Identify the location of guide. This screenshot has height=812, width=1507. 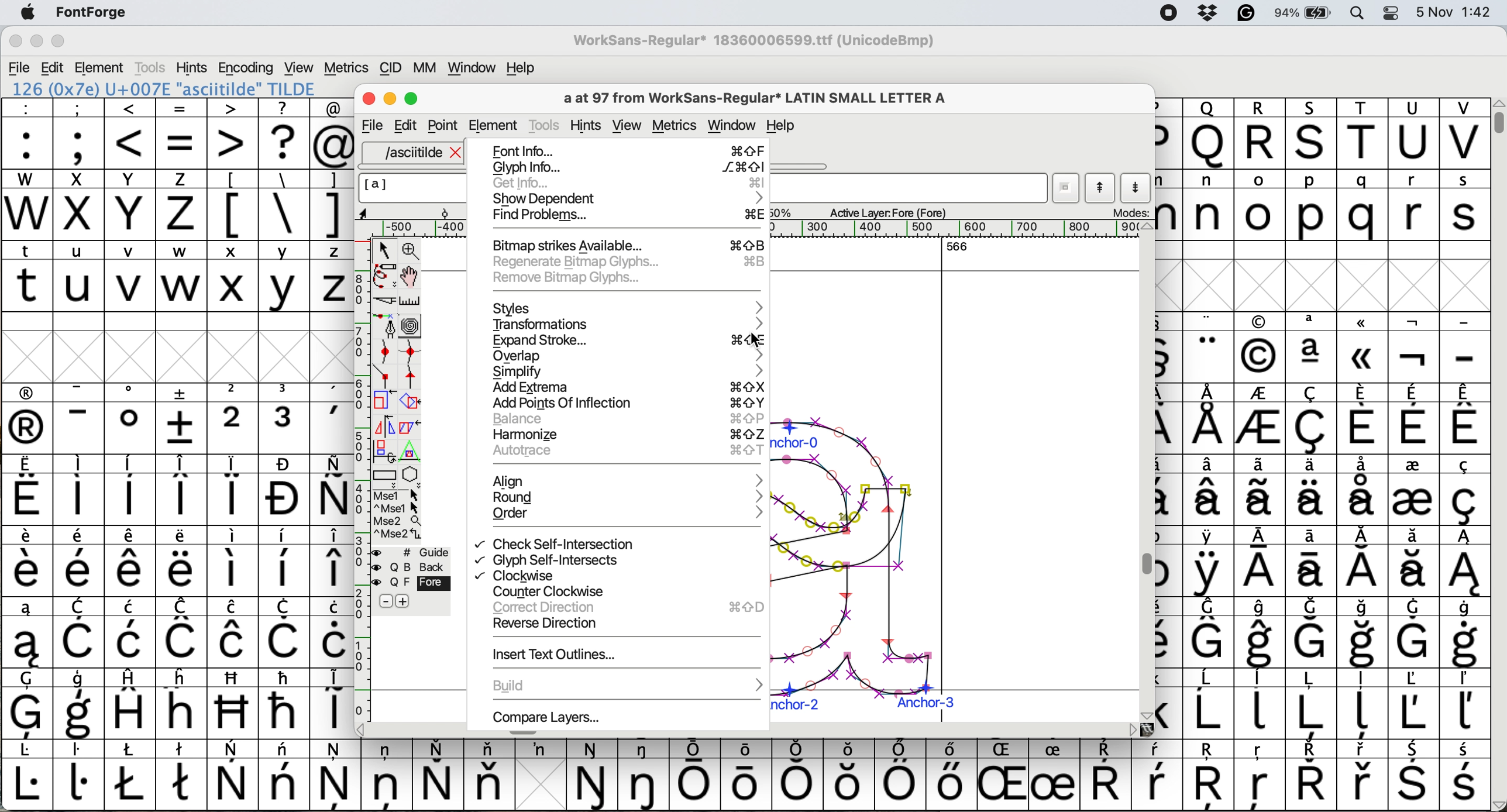
(415, 550).